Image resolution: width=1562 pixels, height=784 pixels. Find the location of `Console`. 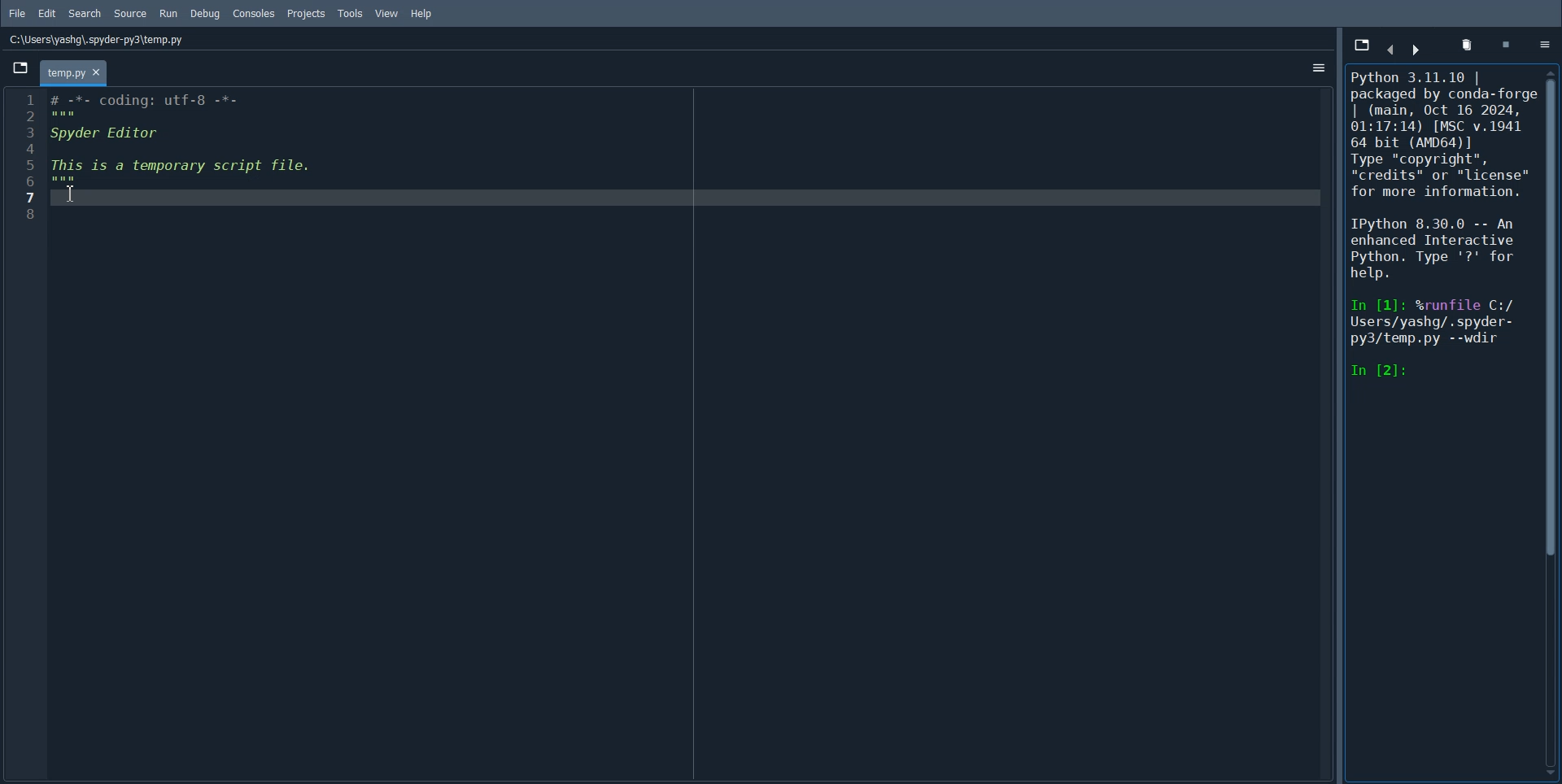

Console is located at coordinates (254, 13).